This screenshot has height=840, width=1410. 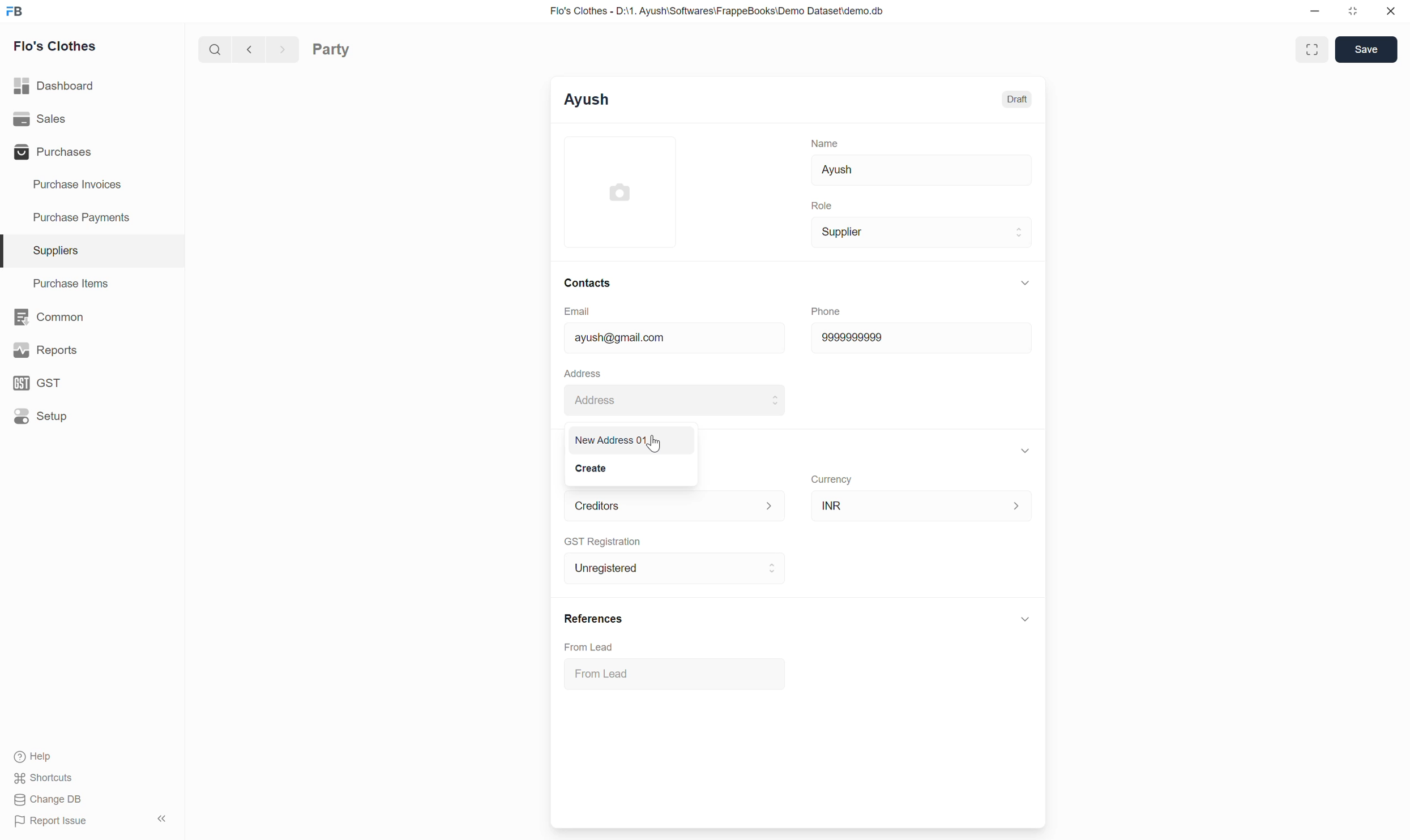 I want to click on Purchases, so click(x=91, y=152).